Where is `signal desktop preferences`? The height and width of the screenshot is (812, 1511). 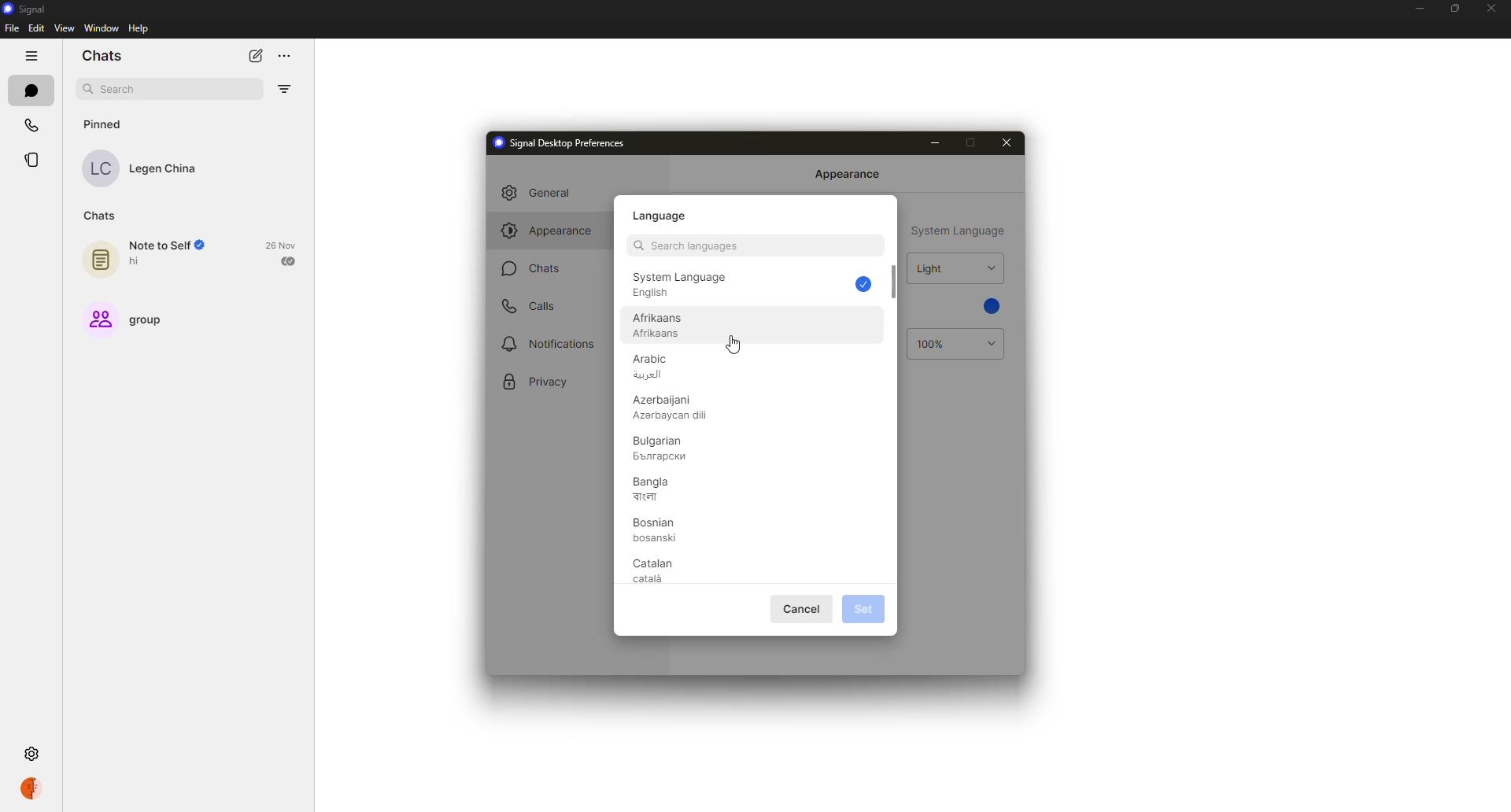 signal desktop preferences is located at coordinates (560, 143).